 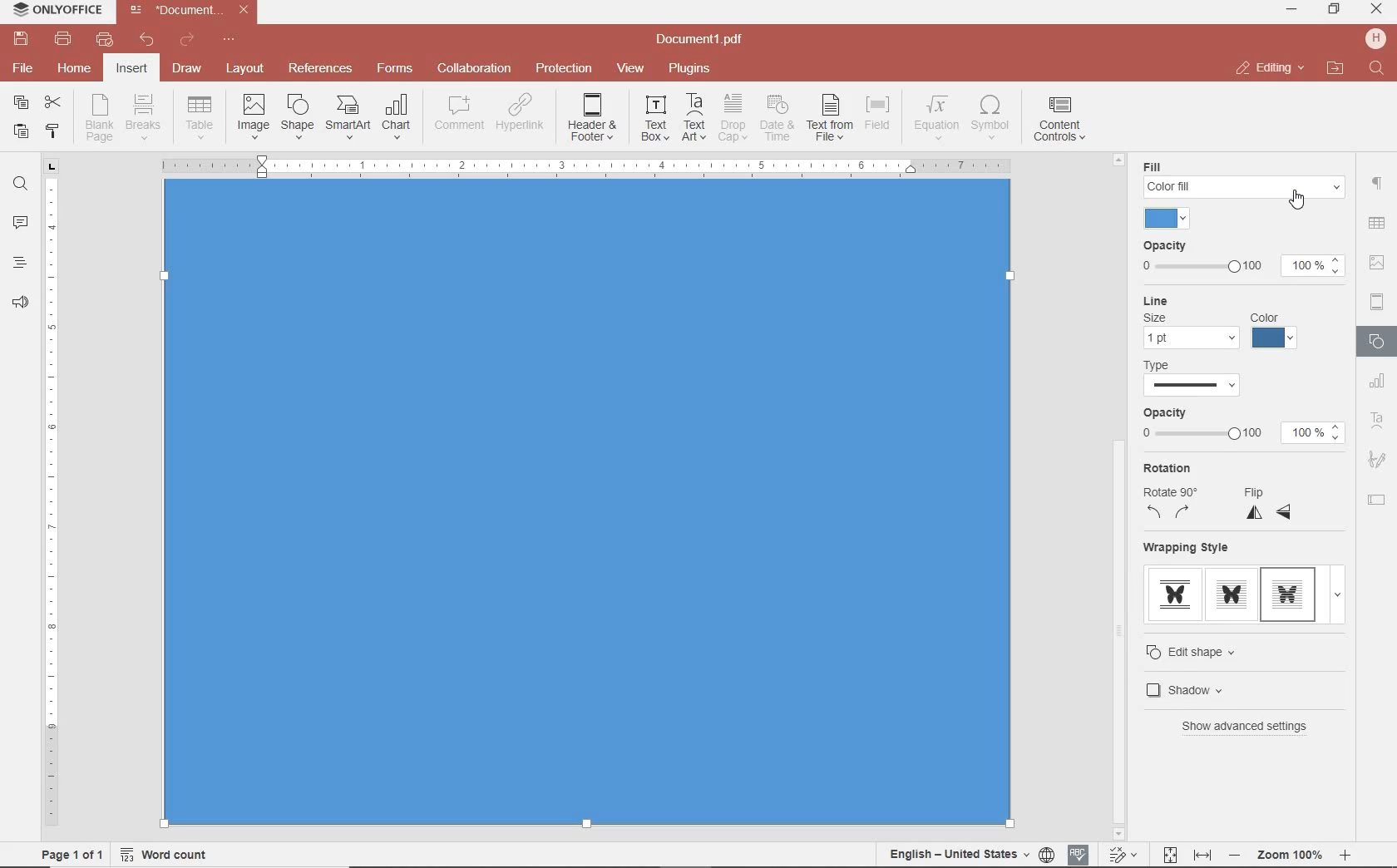 What do you see at coordinates (395, 68) in the screenshot?
I see `forms` at bounding box center [395, 68].